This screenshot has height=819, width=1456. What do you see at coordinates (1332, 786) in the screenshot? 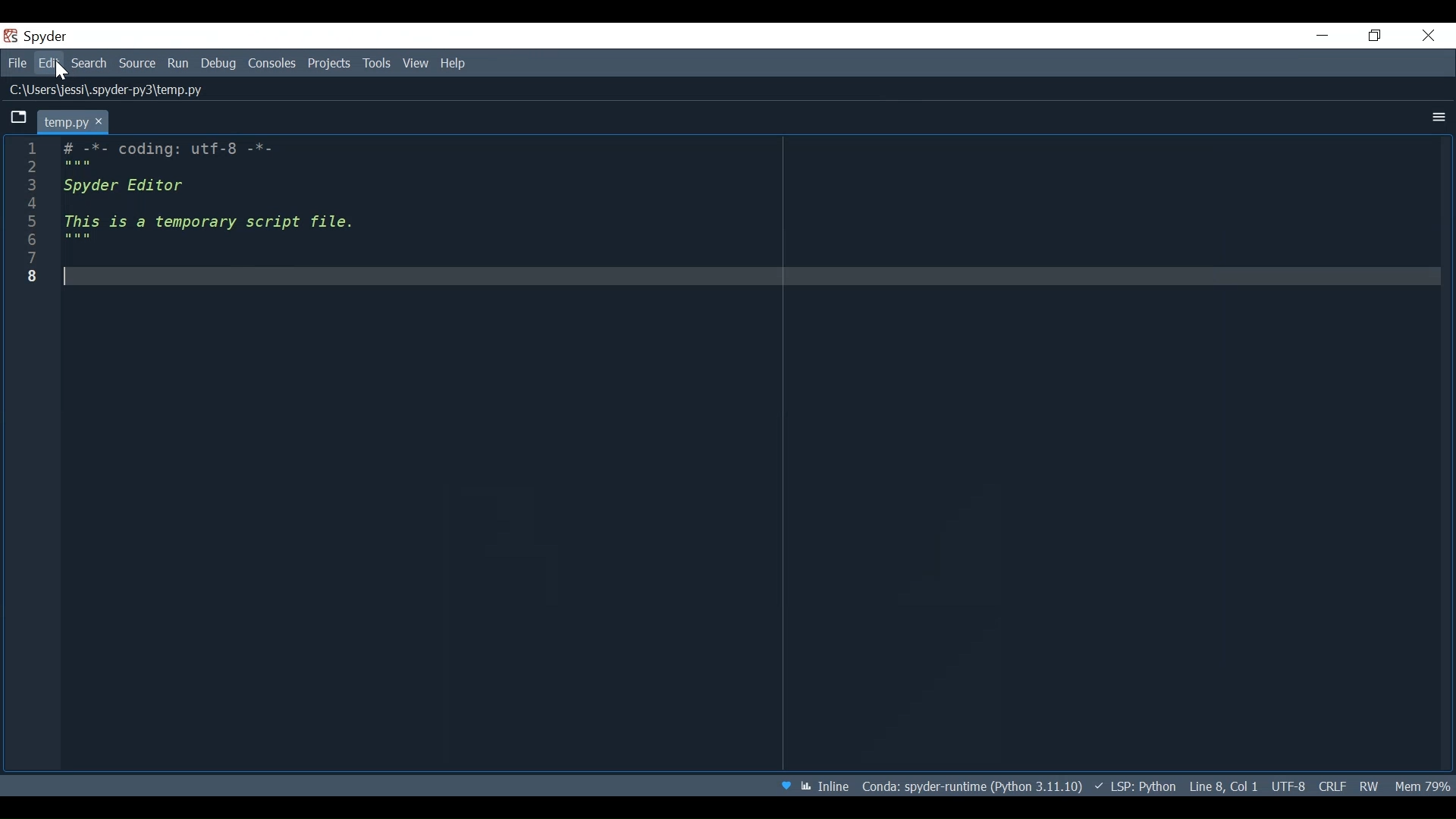
I see `File EQL Status` at bounding box center [1332, 786].